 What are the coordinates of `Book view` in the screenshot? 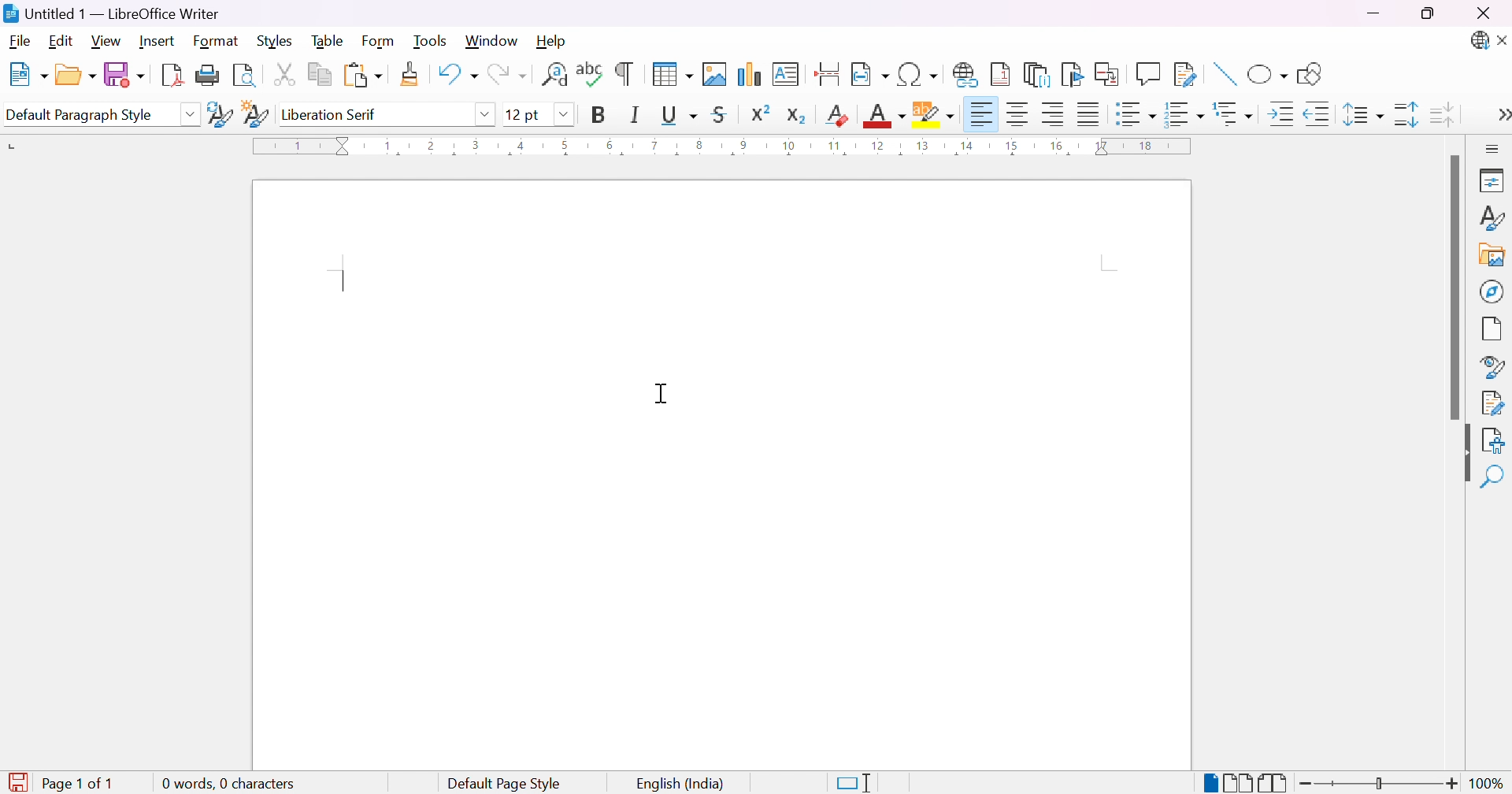 It's located at (1273, 783).